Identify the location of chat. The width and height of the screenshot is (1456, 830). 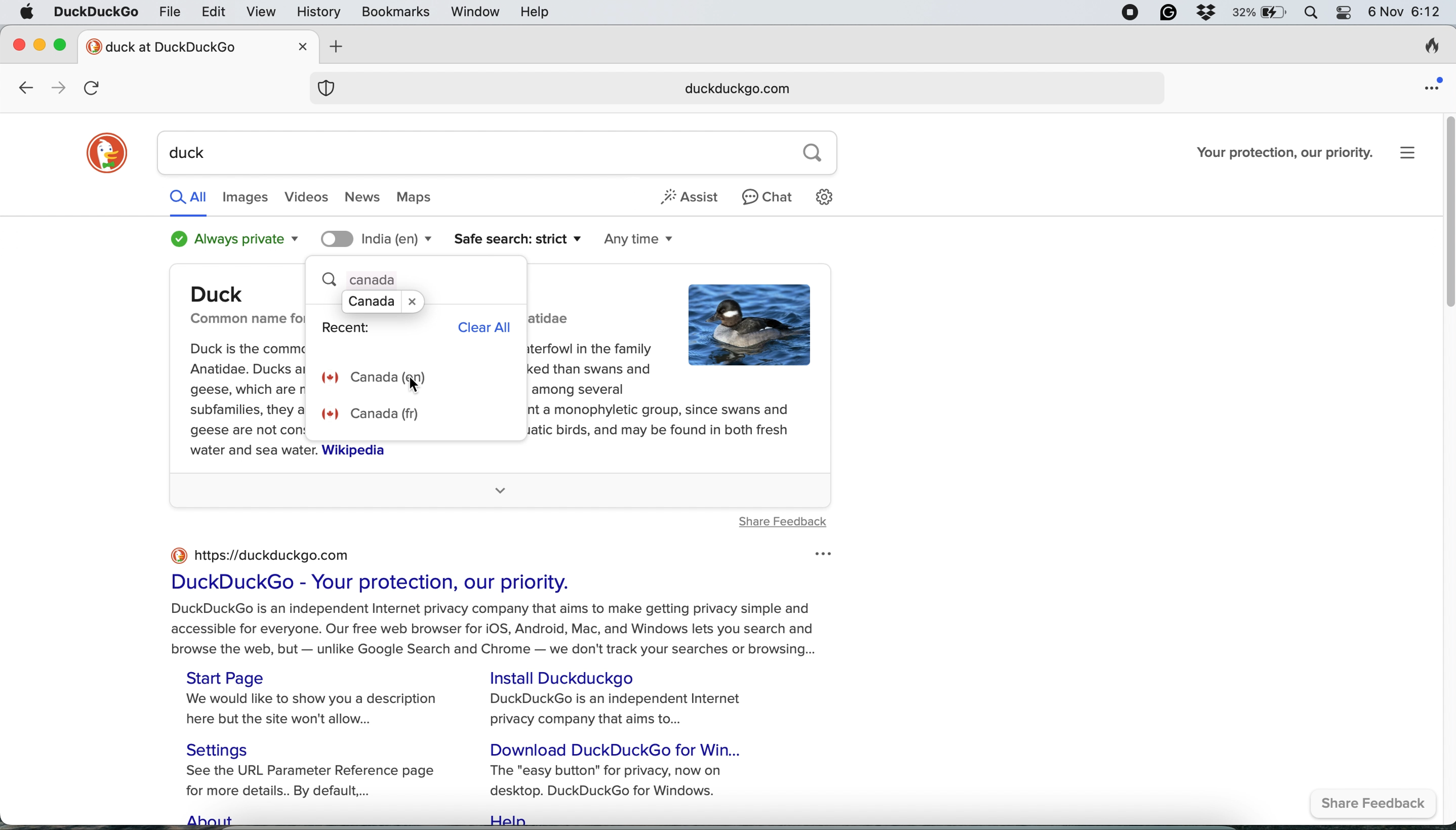
(768, 196).